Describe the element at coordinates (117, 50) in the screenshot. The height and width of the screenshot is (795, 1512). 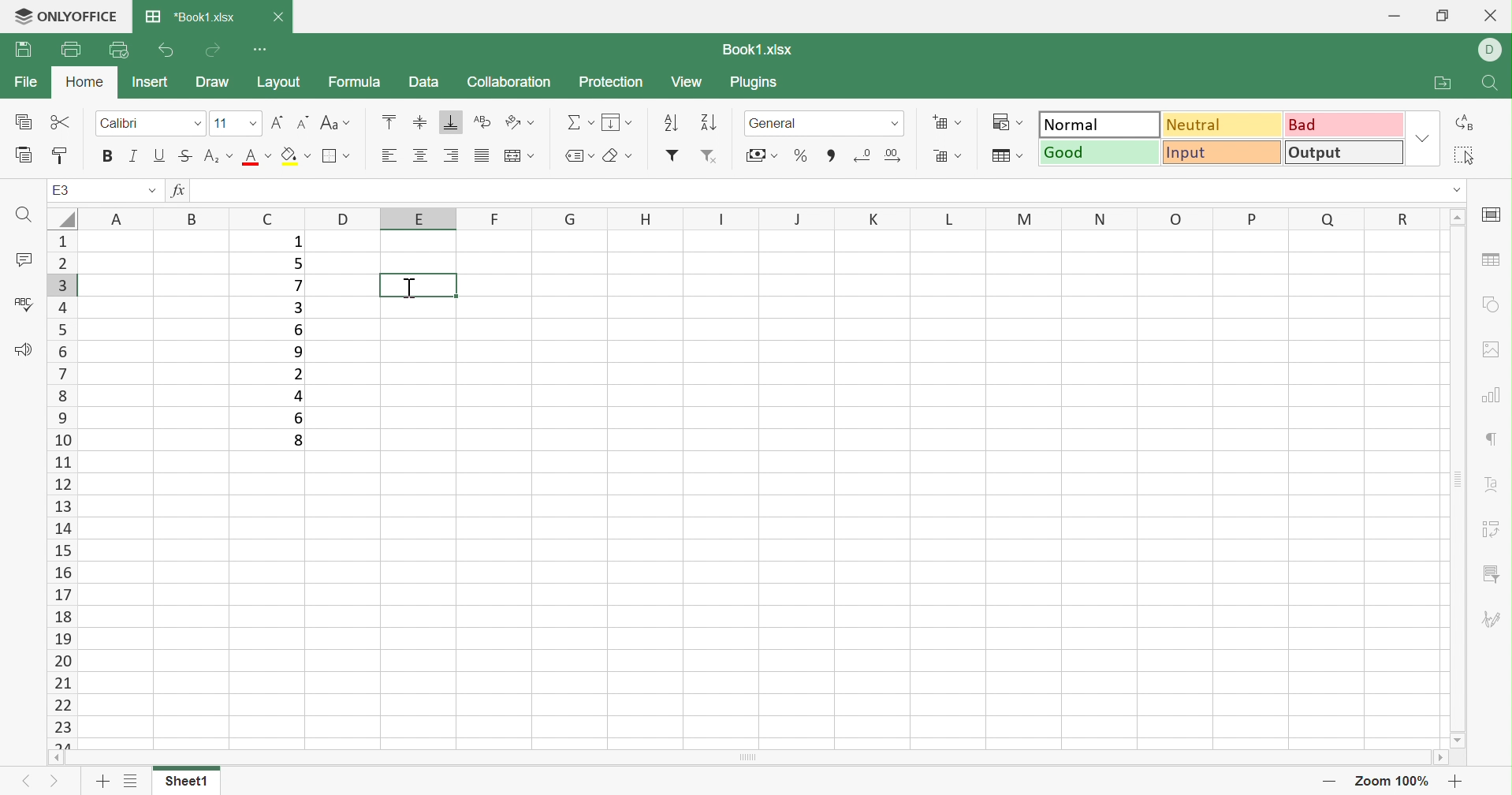
I see `Quick Print` at that location.